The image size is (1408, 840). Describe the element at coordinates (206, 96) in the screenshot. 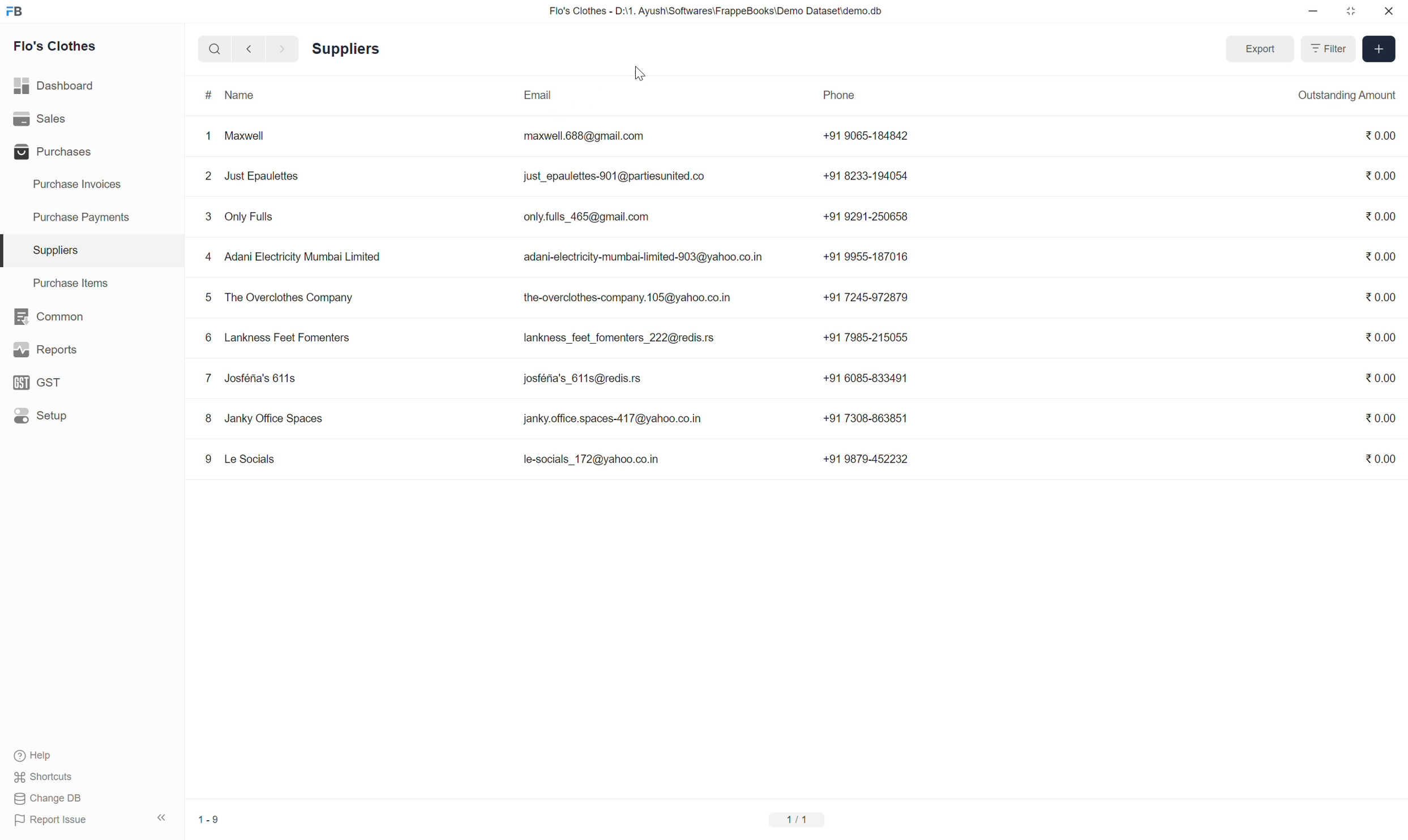

I see `#` at that location.